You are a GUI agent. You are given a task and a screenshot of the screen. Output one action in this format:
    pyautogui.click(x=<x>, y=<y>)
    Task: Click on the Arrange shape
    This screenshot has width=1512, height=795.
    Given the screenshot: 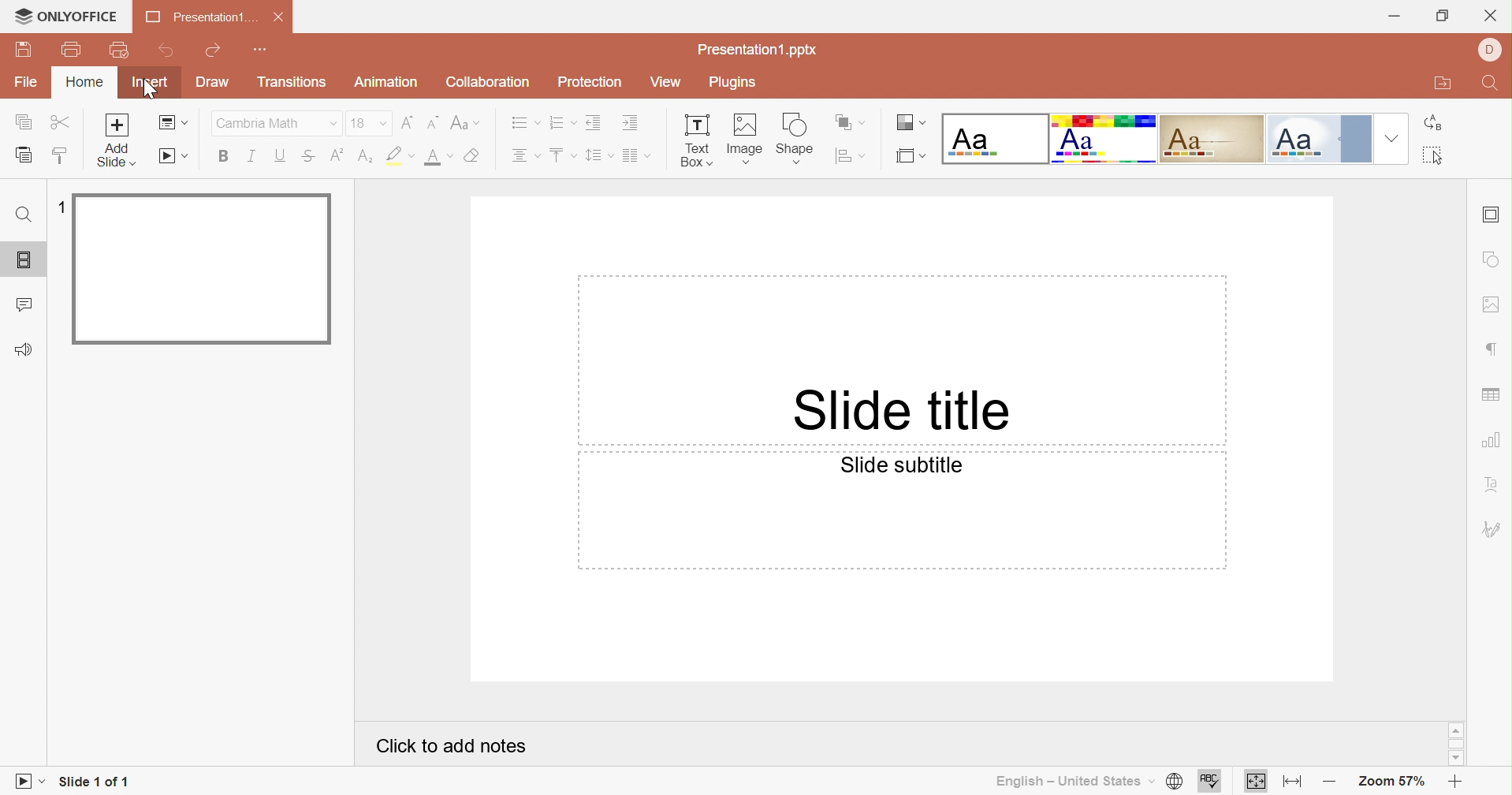 What is the action you would take?
    pyautogui.click(x=847, y=121)
    